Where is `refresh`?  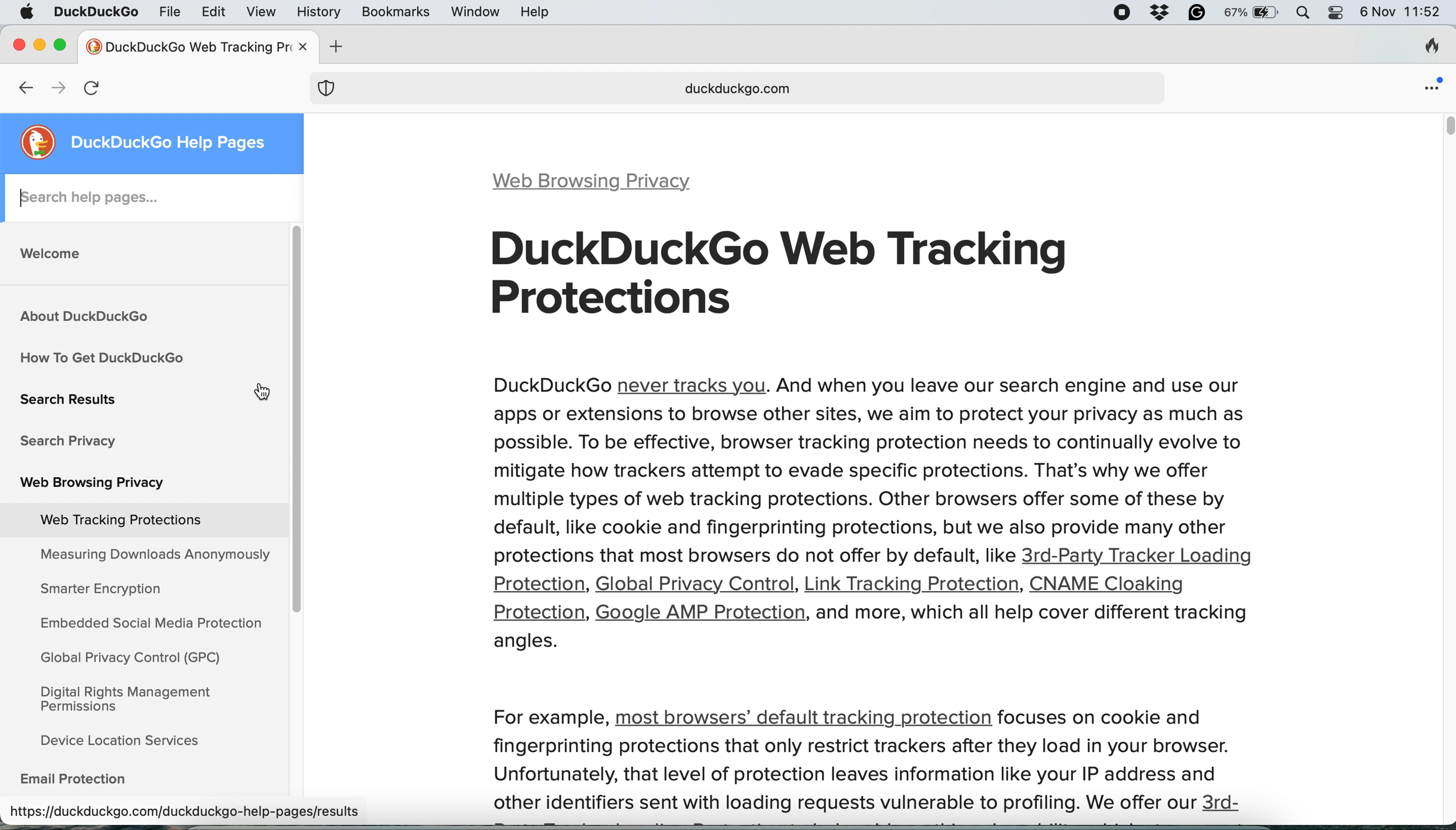 refresh is located at coordinates (96, 88).